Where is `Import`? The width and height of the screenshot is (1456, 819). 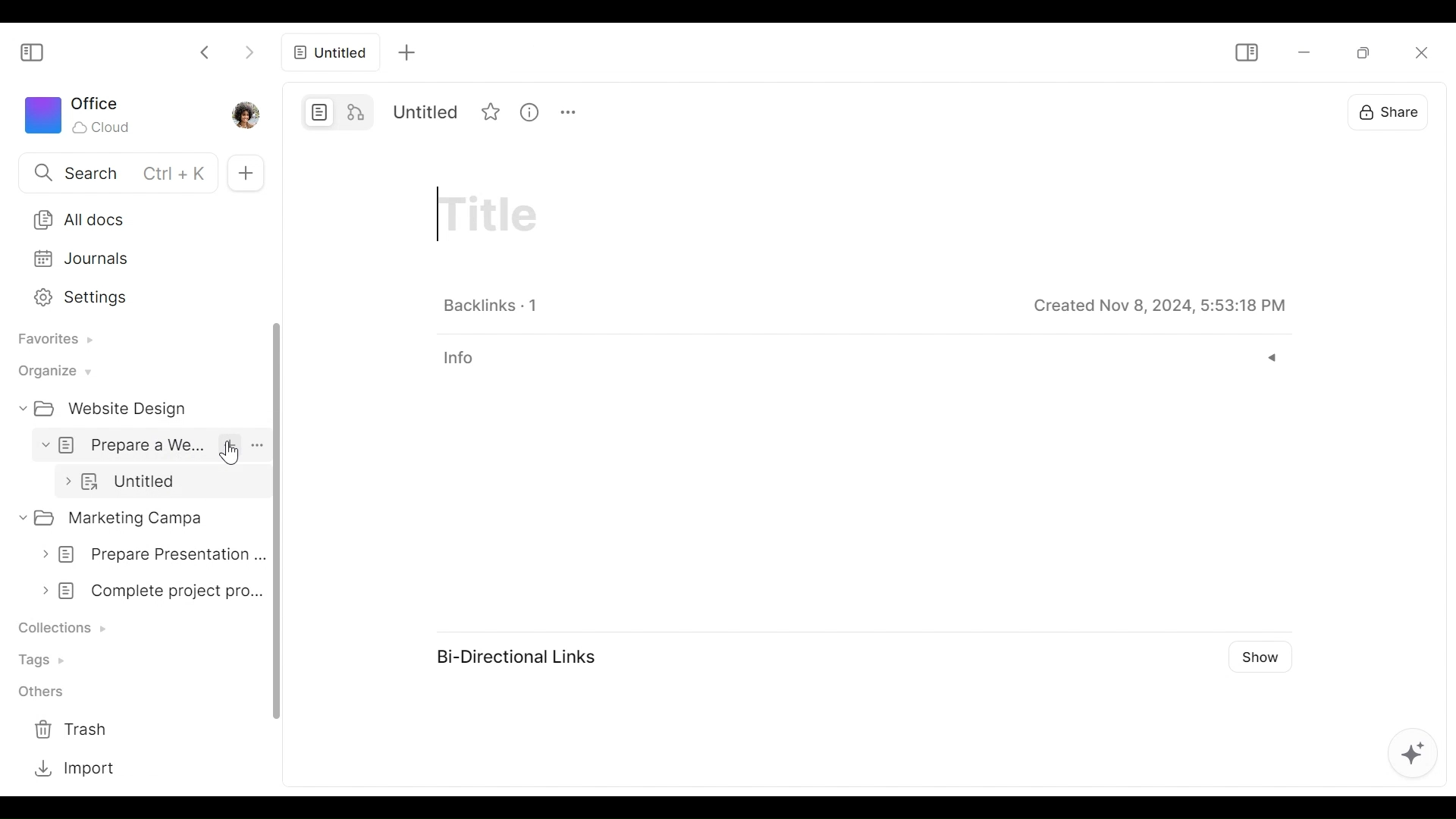
Import is located at coordinates (71, 767).